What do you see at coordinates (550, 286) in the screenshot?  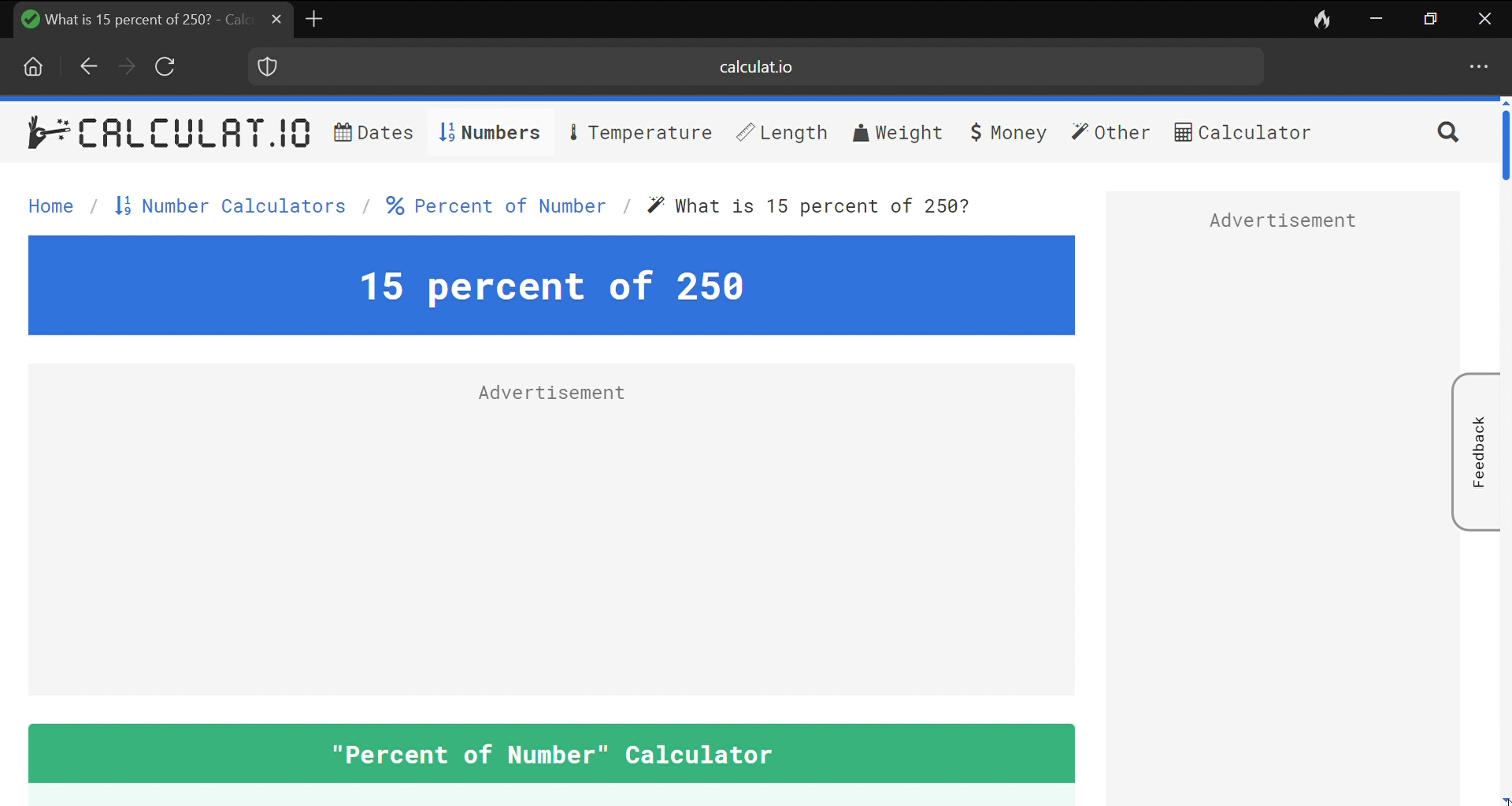 I see `15 percent of 250` at bounding box center [550, 286].